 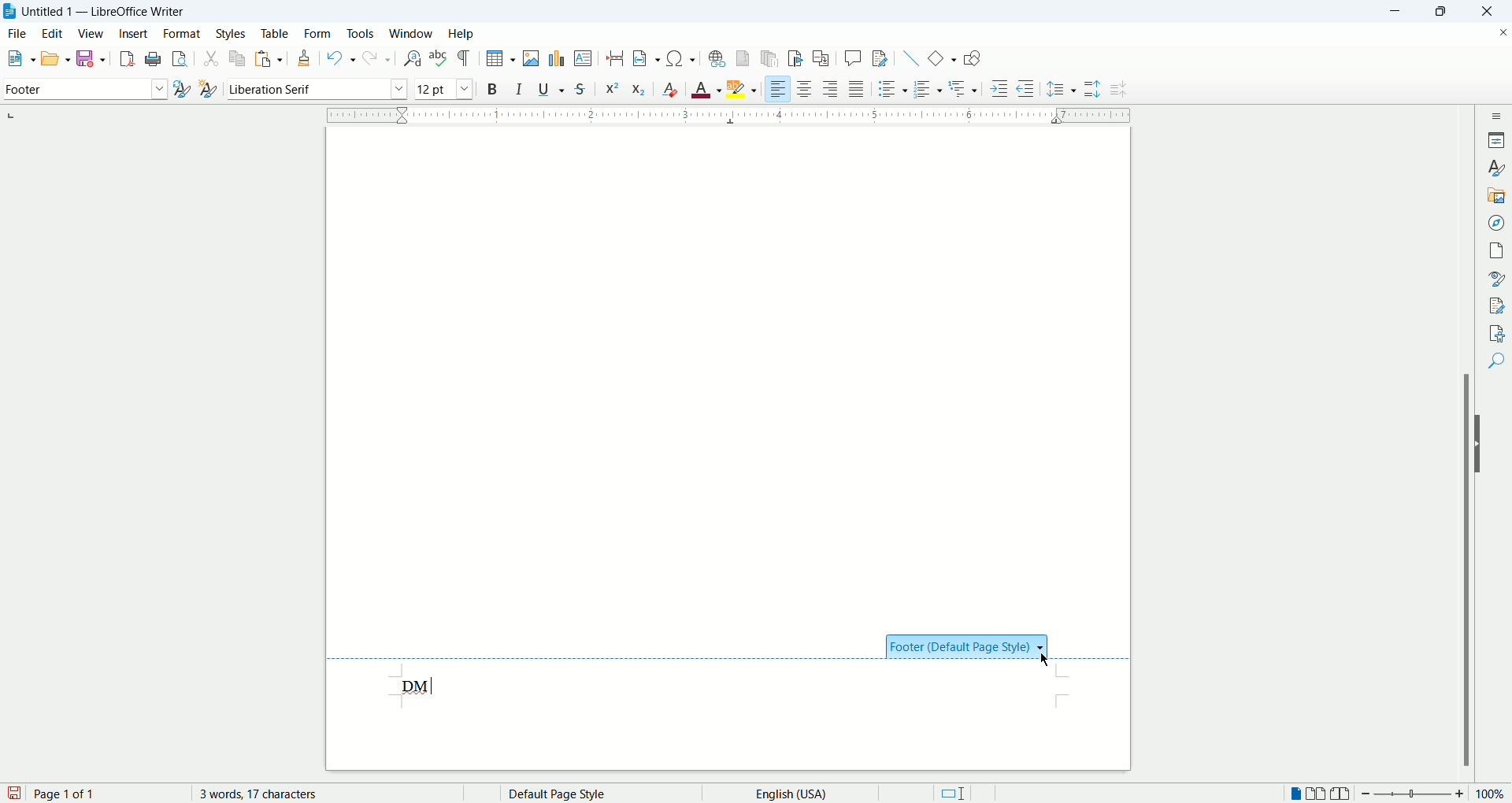 I want to click on manage changes, so click(x=1498, y=306).